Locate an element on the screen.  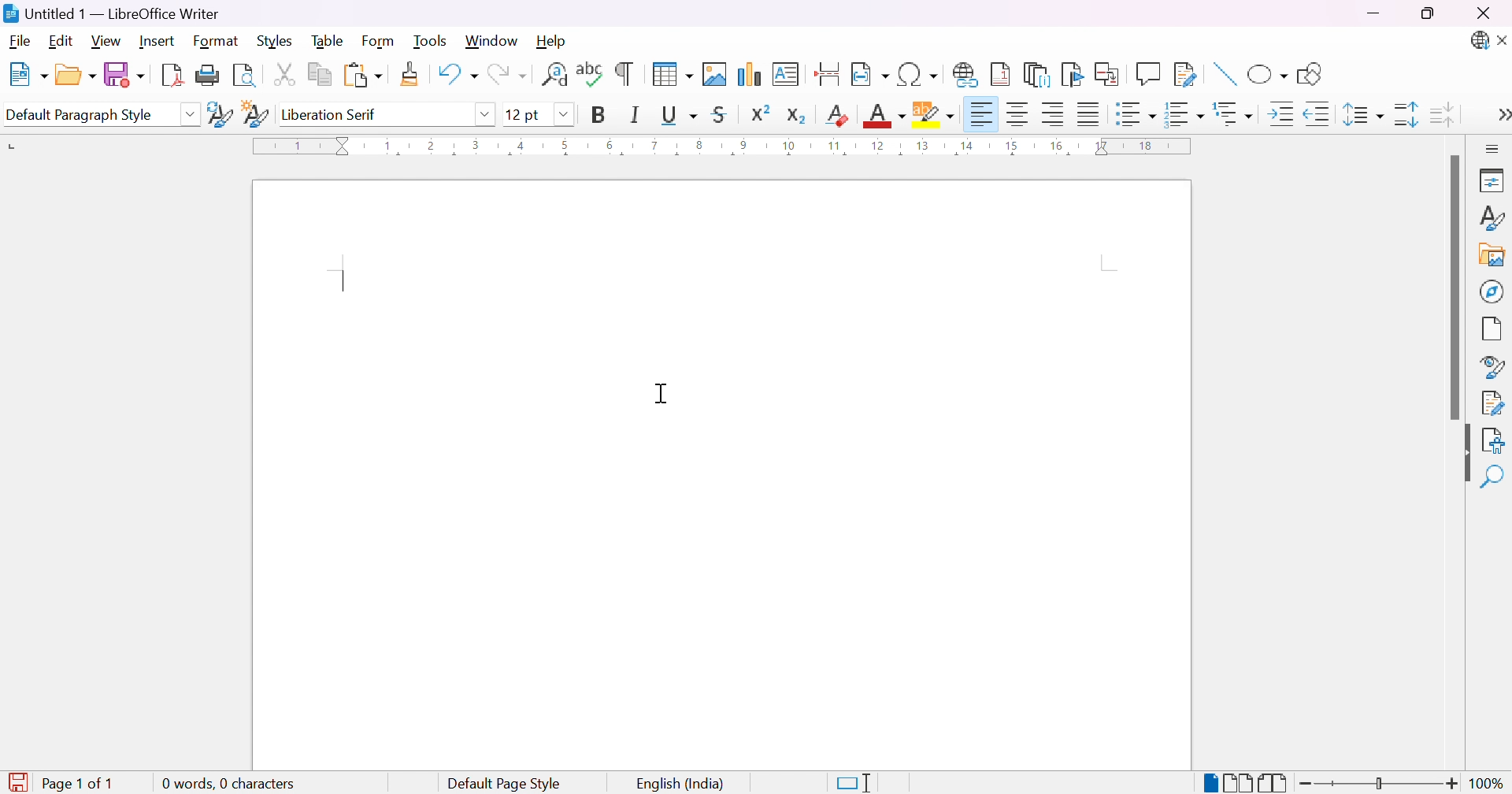
Navigator is located at coordinates (1492, 291).